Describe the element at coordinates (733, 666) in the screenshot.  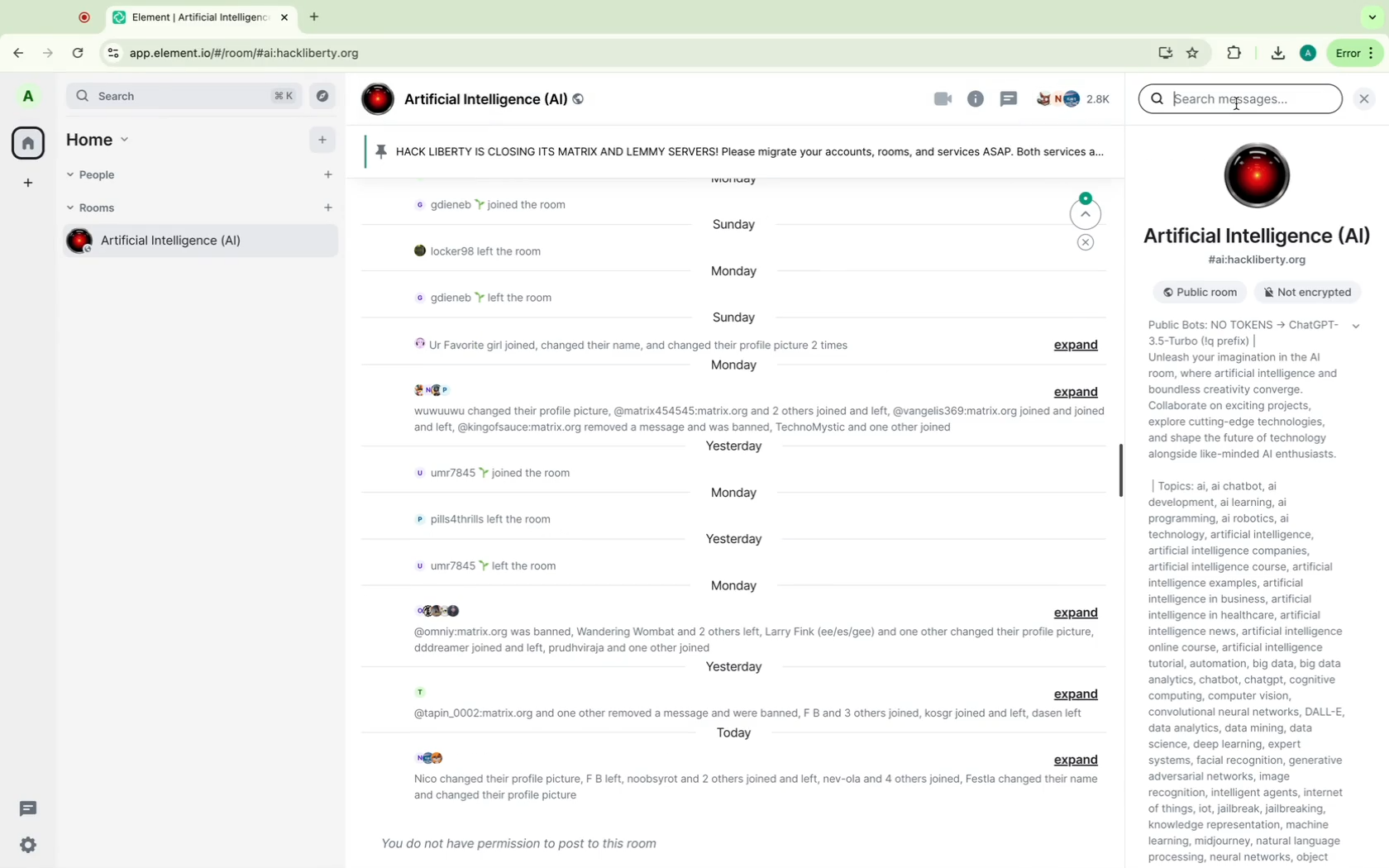
I see `day` at that location.